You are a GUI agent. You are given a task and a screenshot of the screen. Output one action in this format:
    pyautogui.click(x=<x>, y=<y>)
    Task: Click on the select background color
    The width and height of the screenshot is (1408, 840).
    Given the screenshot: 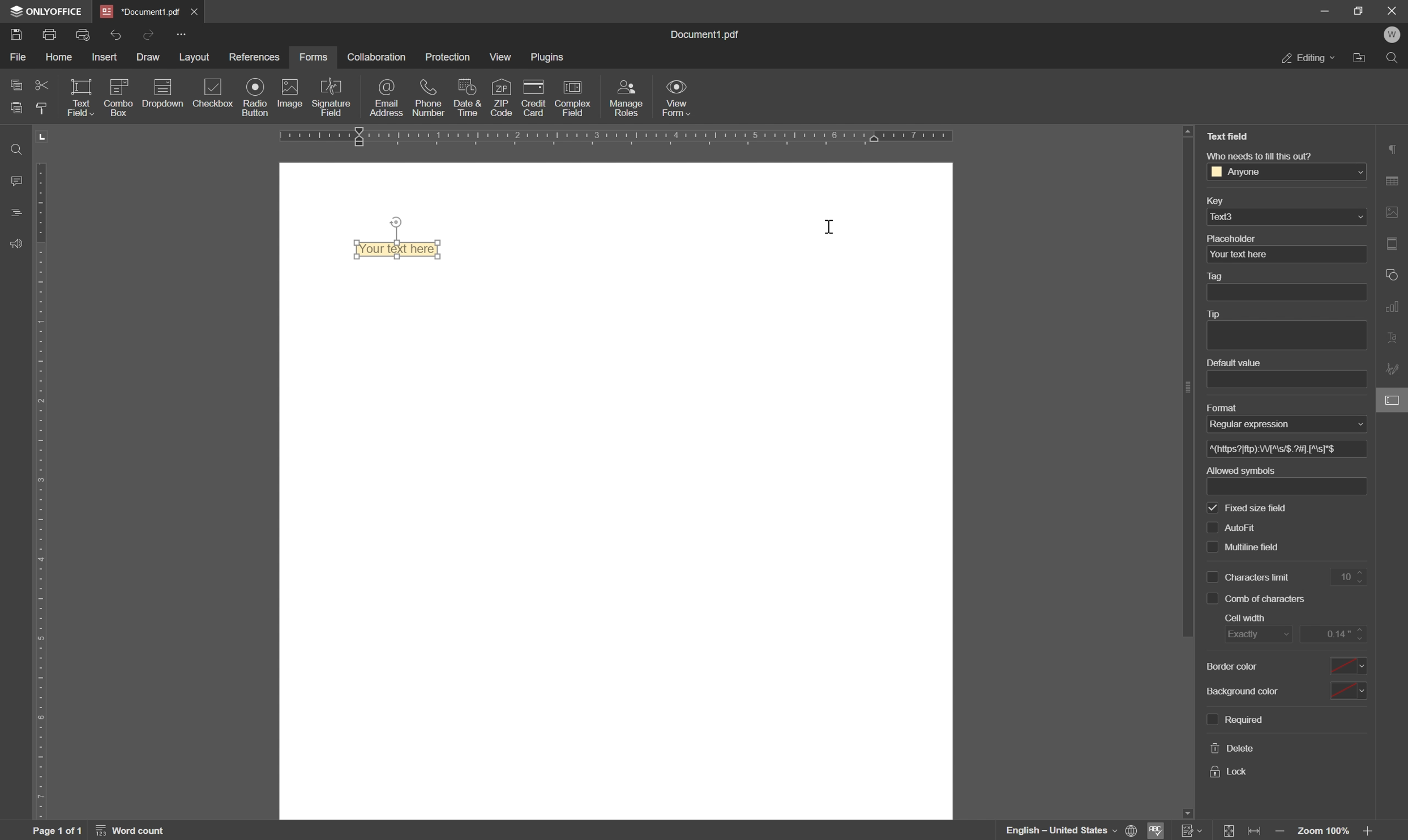 What is the action you would take?
    pyautogui.click(x=1349, y=689)
    